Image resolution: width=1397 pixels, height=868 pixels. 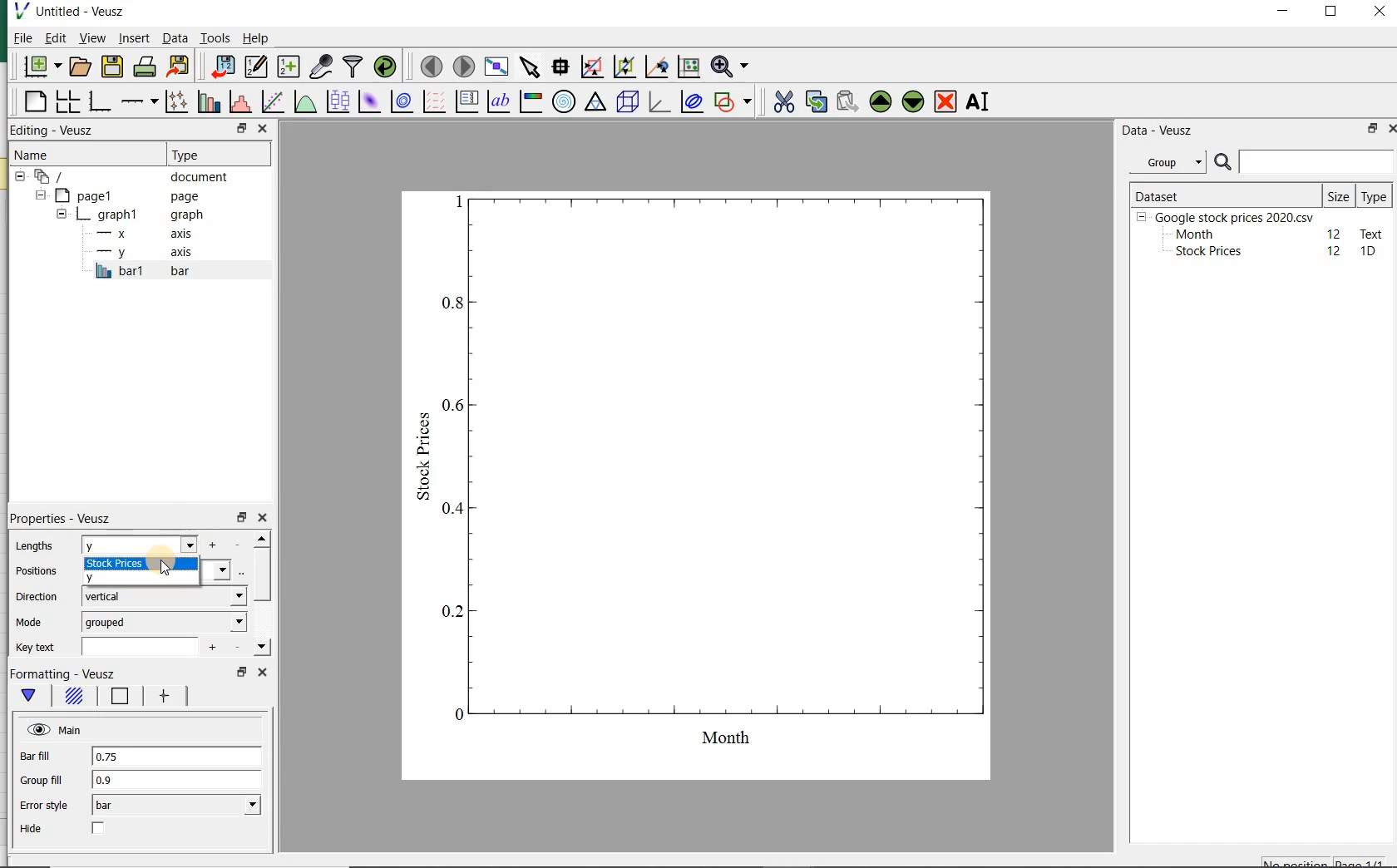 I want to click on create new datasets, so click(x=289, y=67).